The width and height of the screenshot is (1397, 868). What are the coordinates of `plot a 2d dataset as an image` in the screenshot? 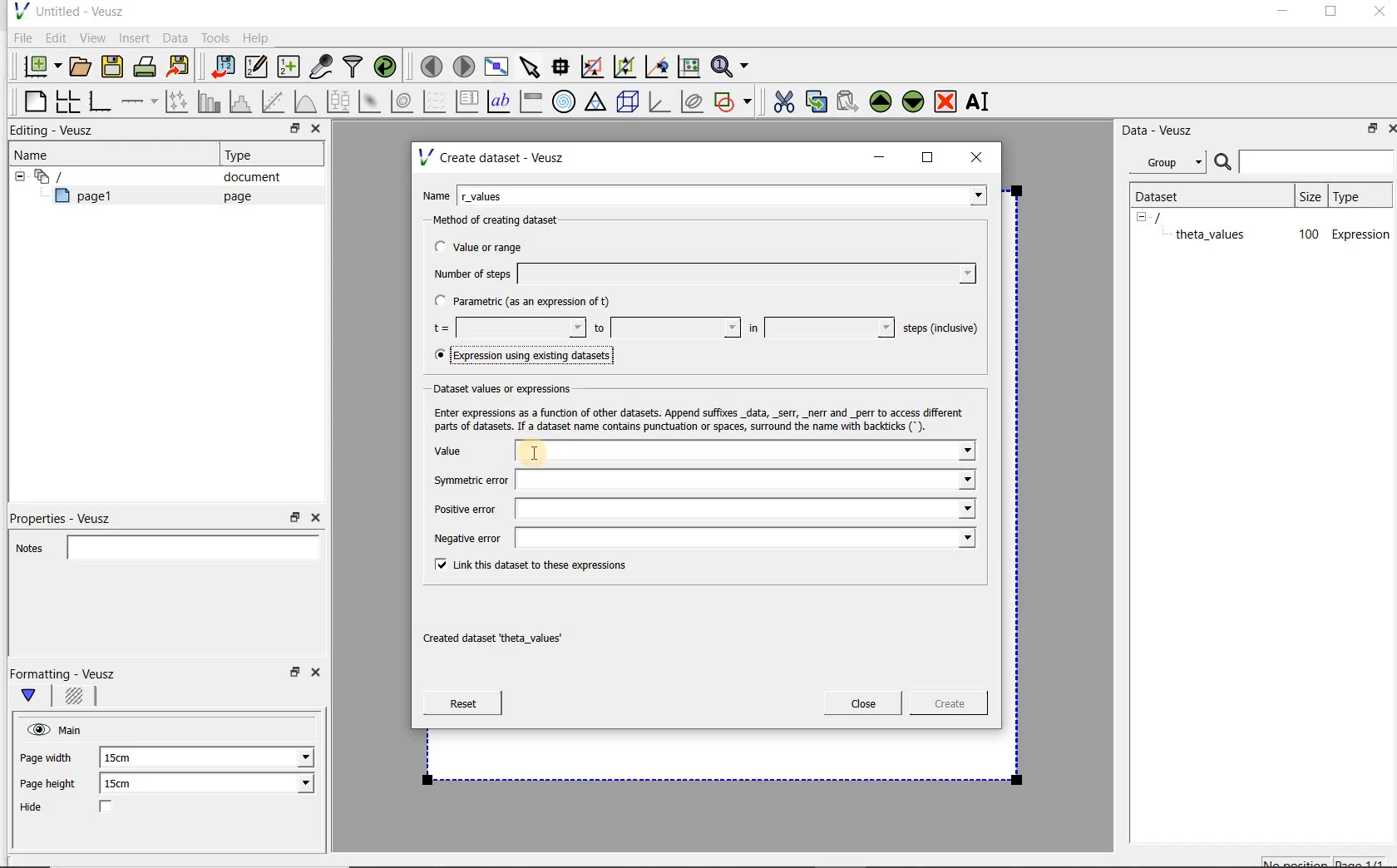 It's located at (372, 102).